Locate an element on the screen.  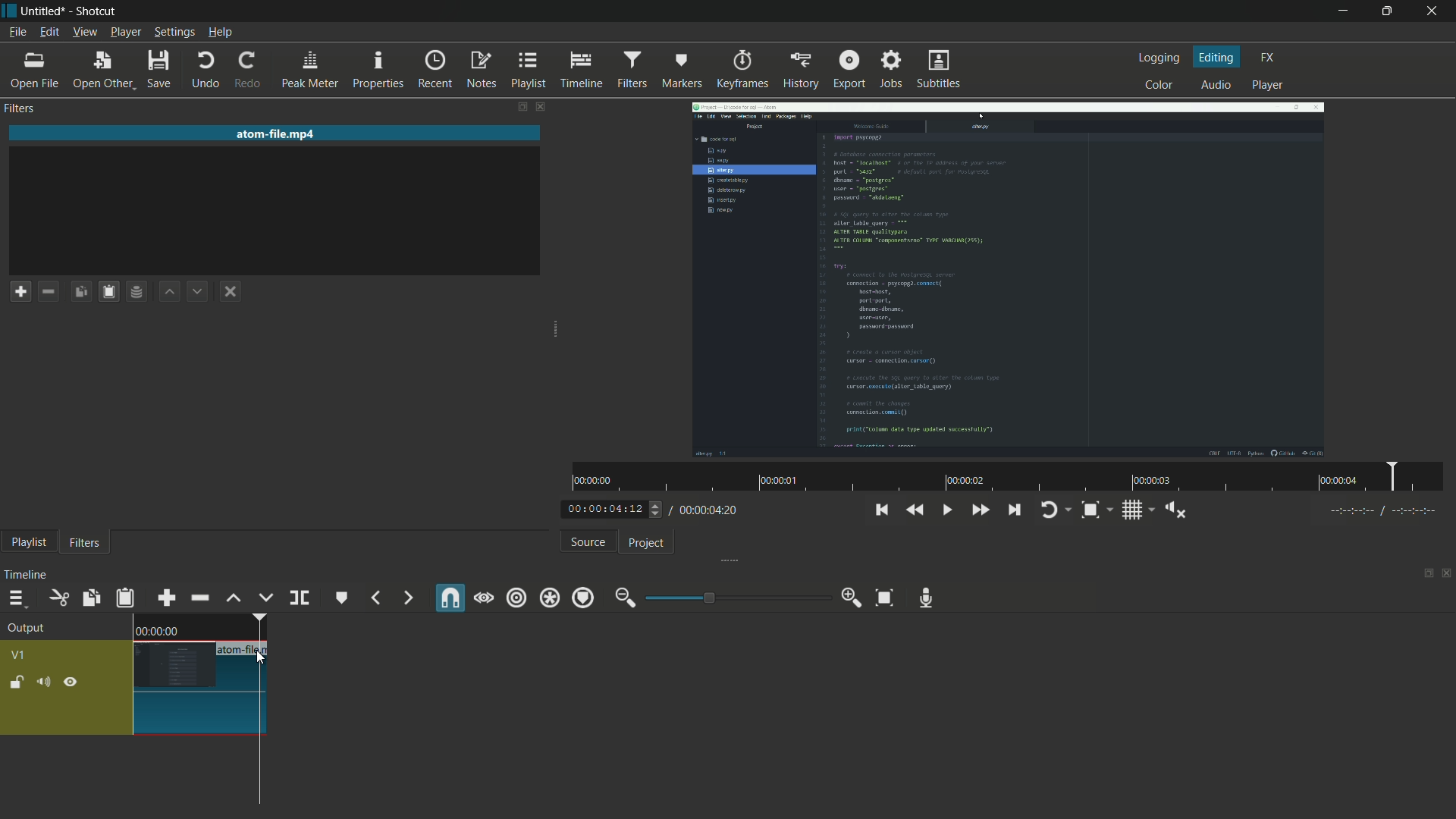
close app is located at coordinates (1436, 11).